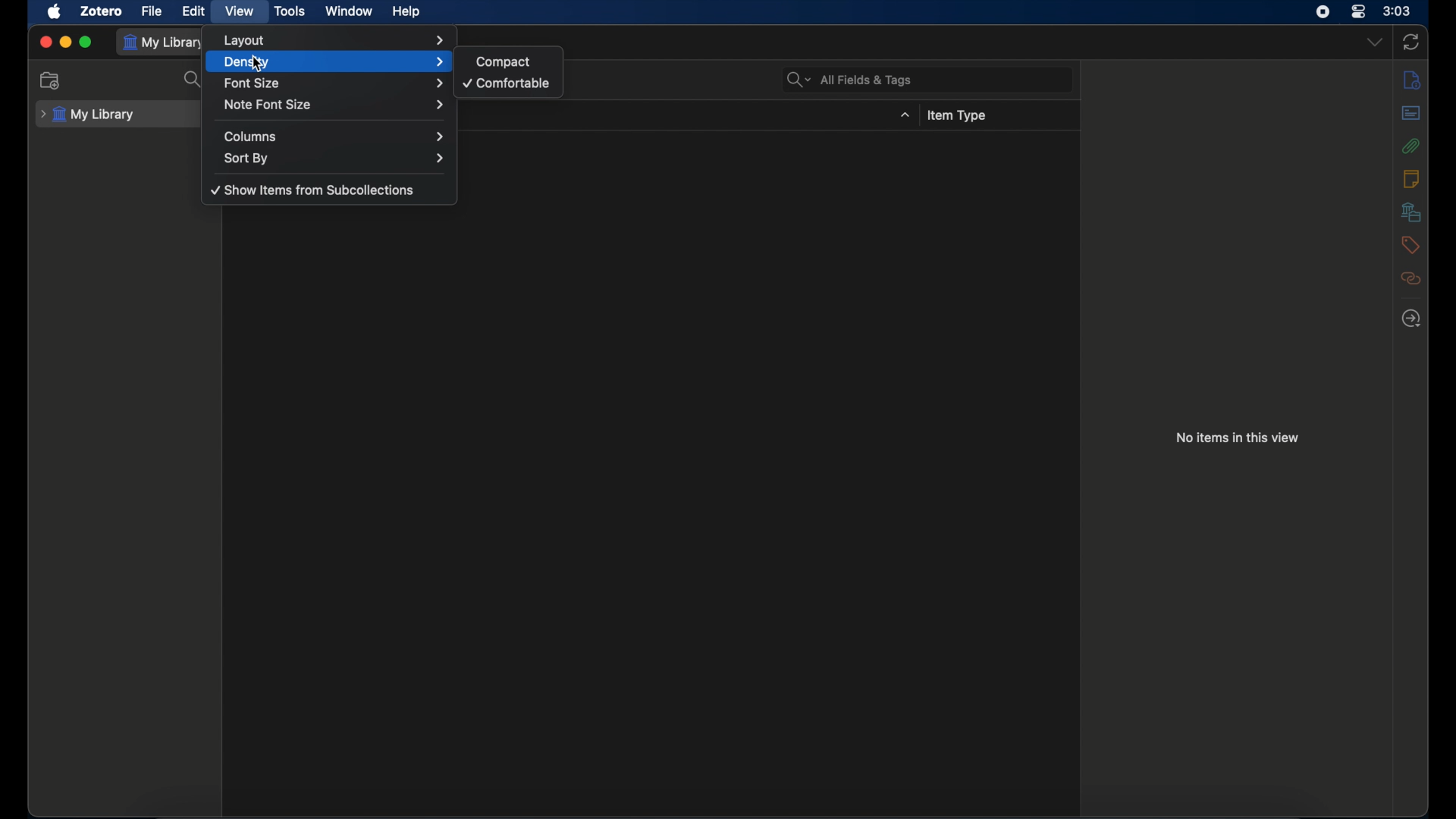 The image size is (1456, 819). What do you see at coordinates (504, 61) in the screenshot?
I see `compact` at bounding box center [504, 61].